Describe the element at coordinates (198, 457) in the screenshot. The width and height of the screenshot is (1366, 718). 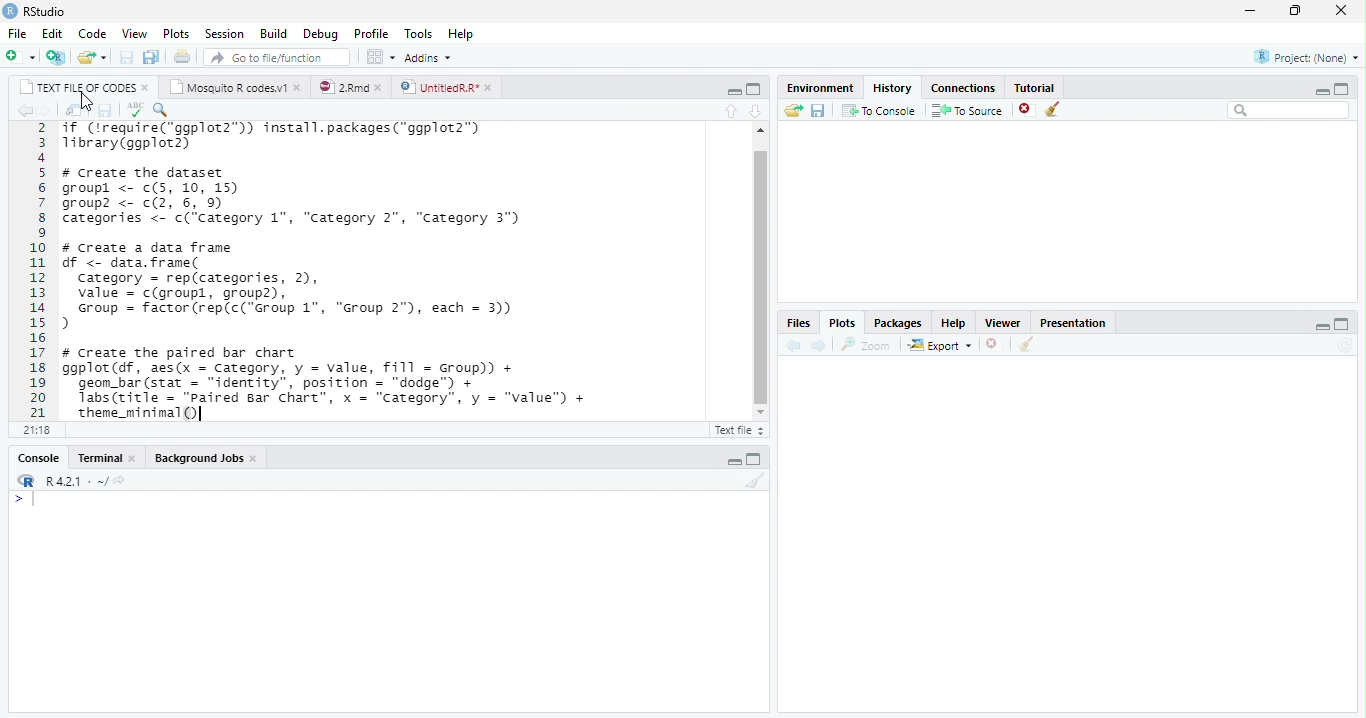
I see `background jobs` at that location.